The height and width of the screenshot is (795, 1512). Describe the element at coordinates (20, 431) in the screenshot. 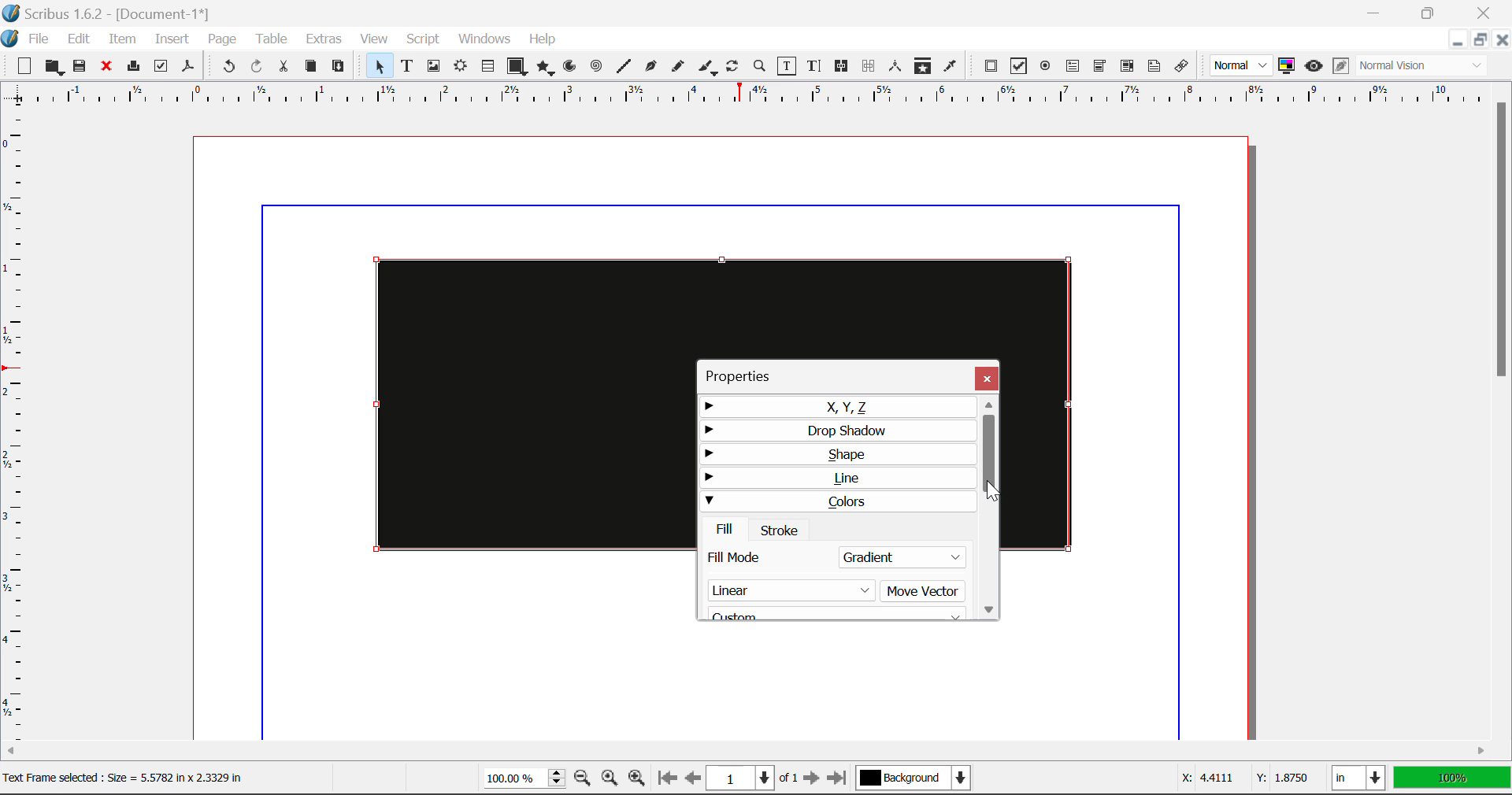

I see `Horizontal Page Margins` at that location.